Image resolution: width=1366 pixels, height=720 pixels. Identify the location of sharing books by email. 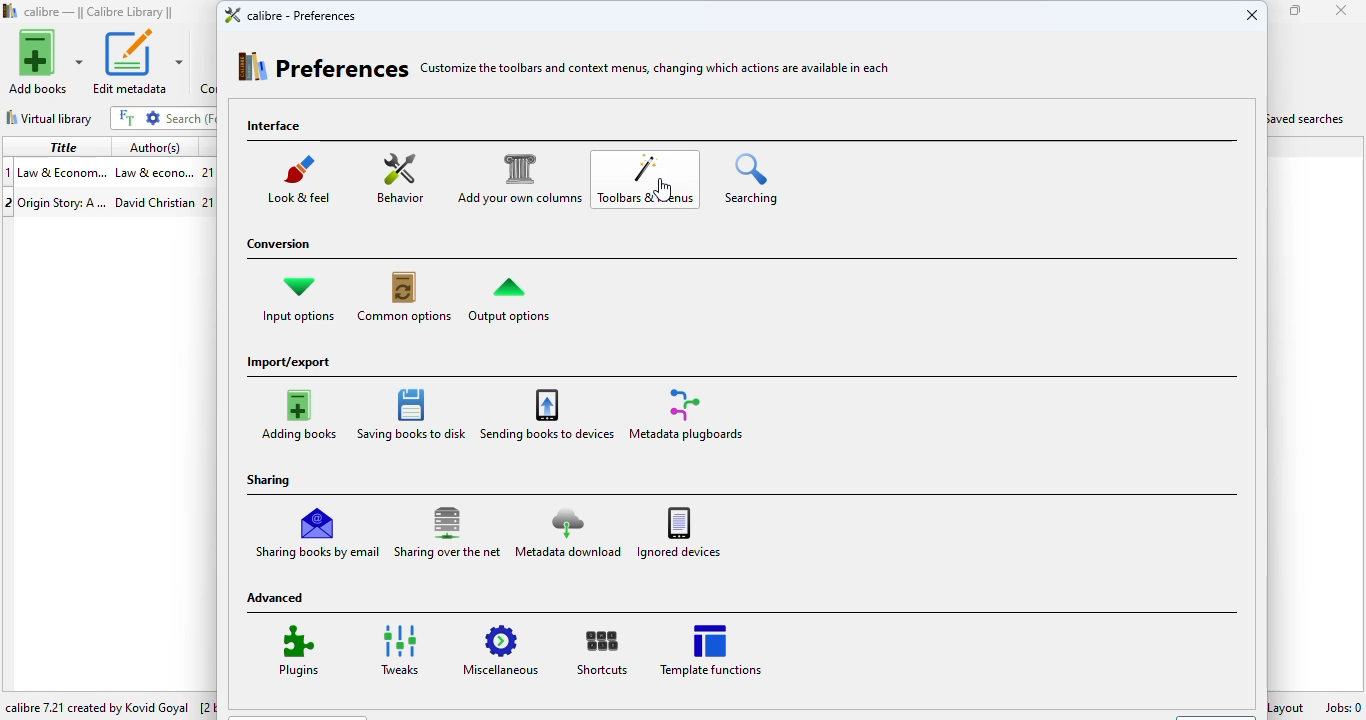
(319, 530).